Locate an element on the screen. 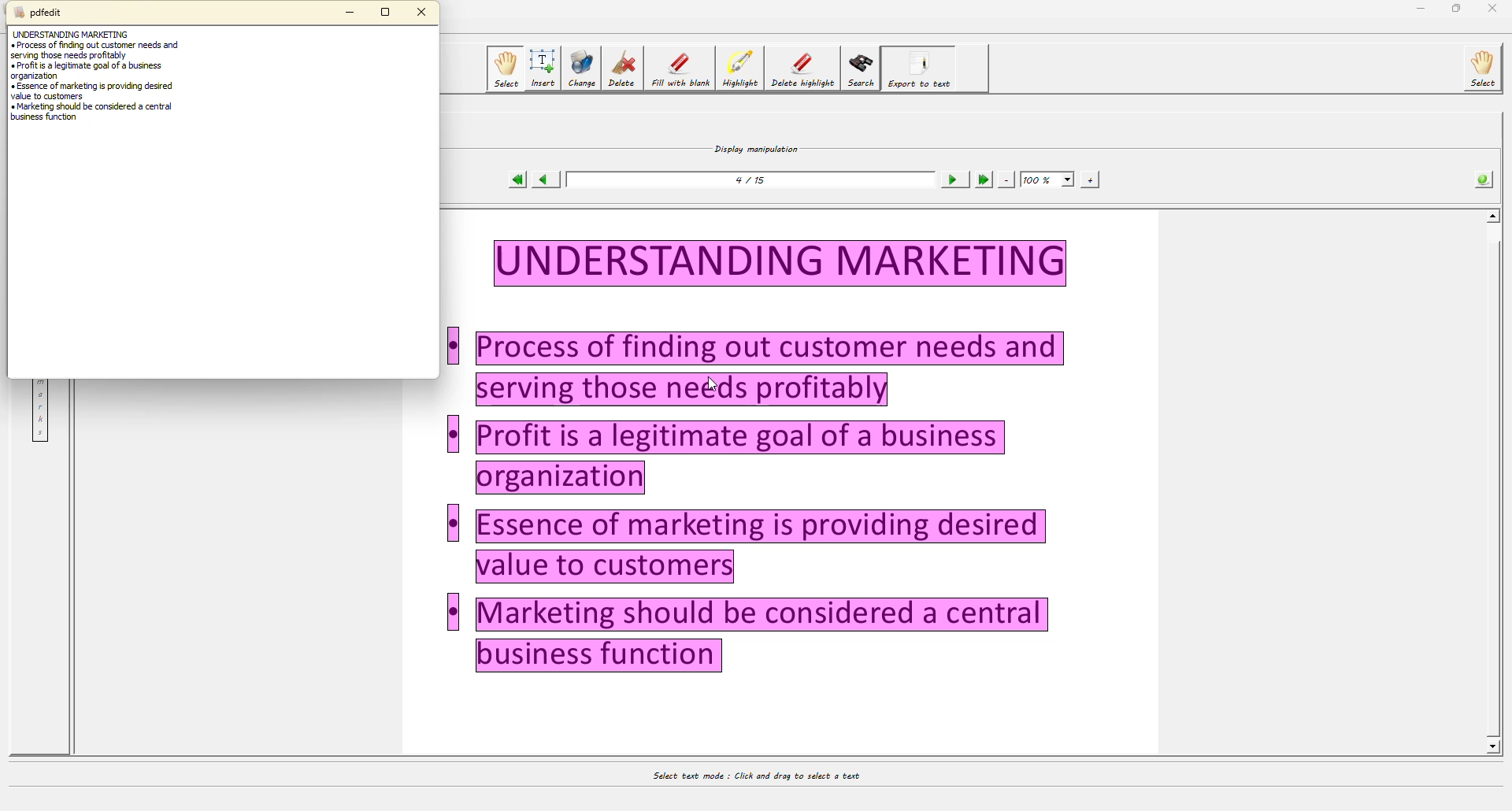 The image size is (1512, 811). delete is located at coordinates (621, 69).